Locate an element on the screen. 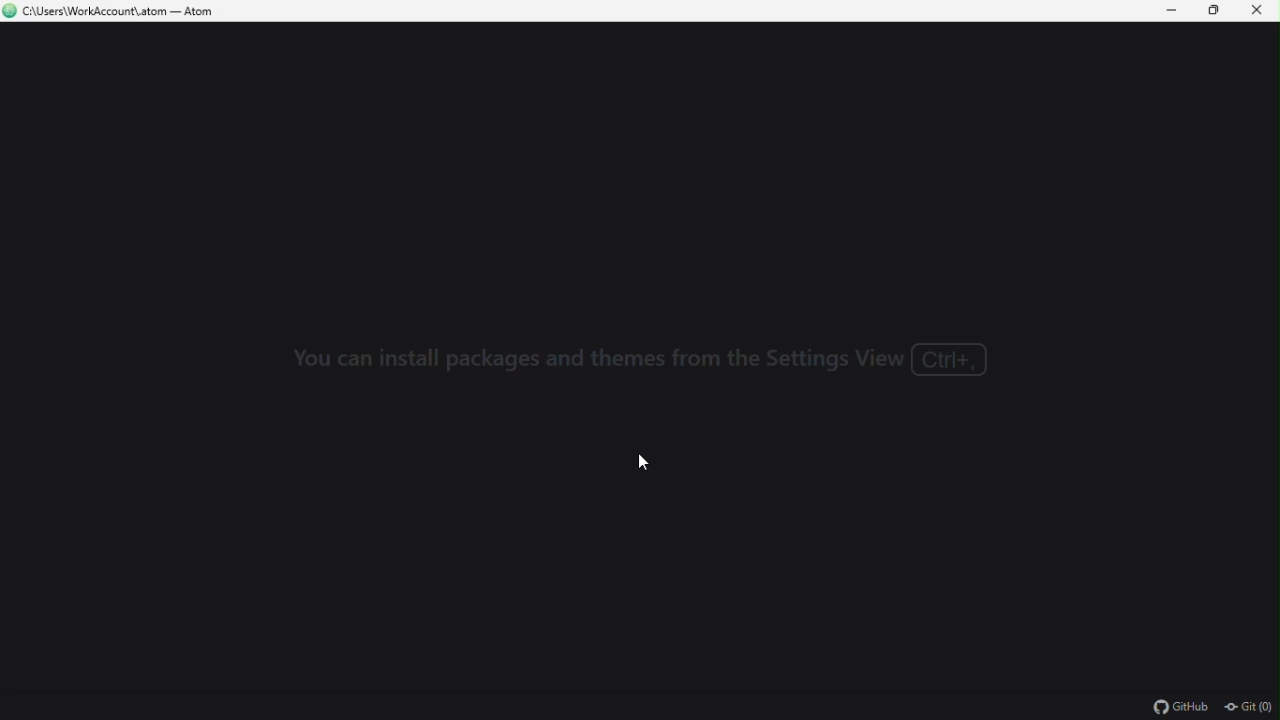 This screenshot has width=1280, height=720. Close is located at coordinates (1258, 11).